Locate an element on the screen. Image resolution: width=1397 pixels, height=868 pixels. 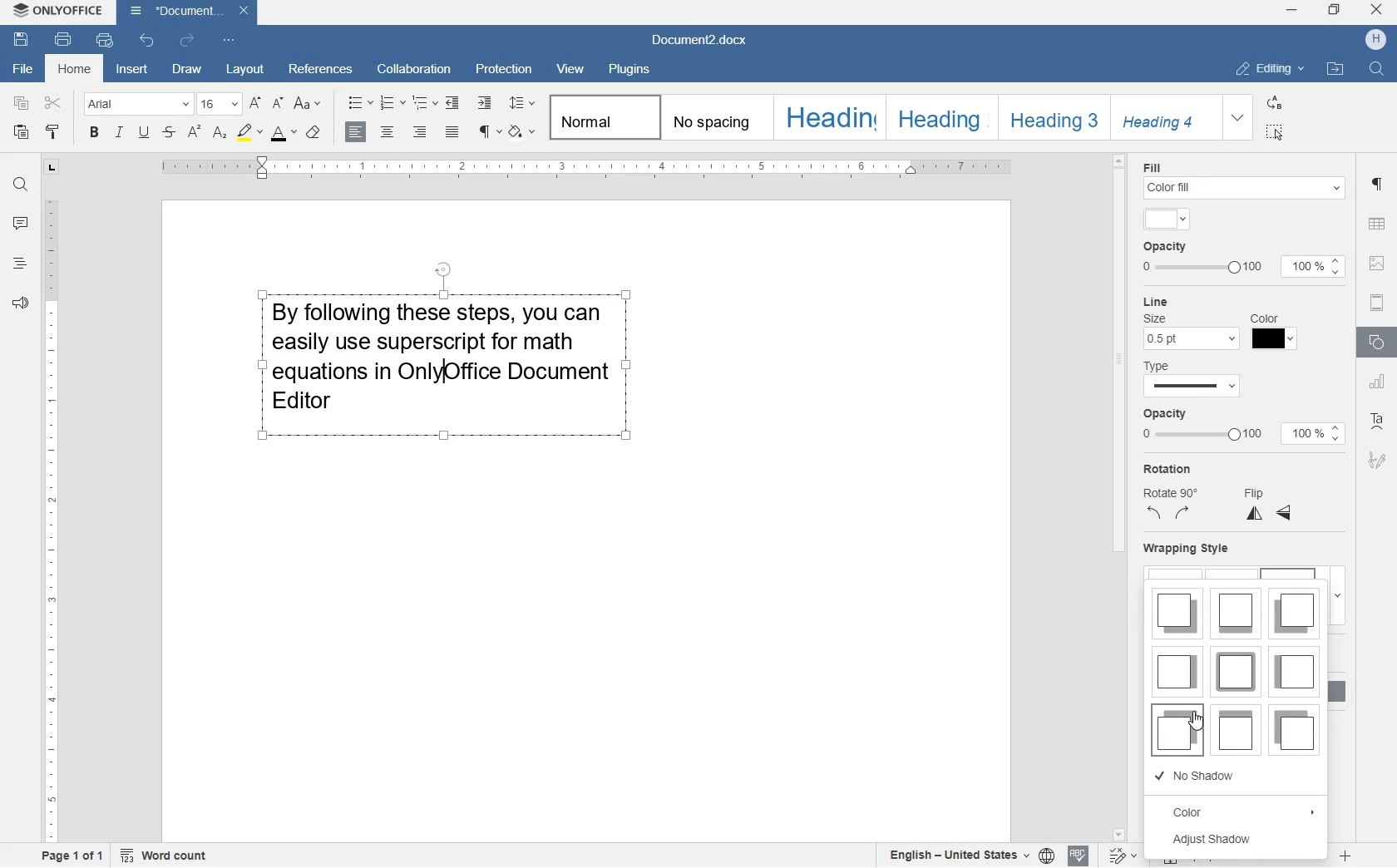
Normal is located at coordinates (602, 117).